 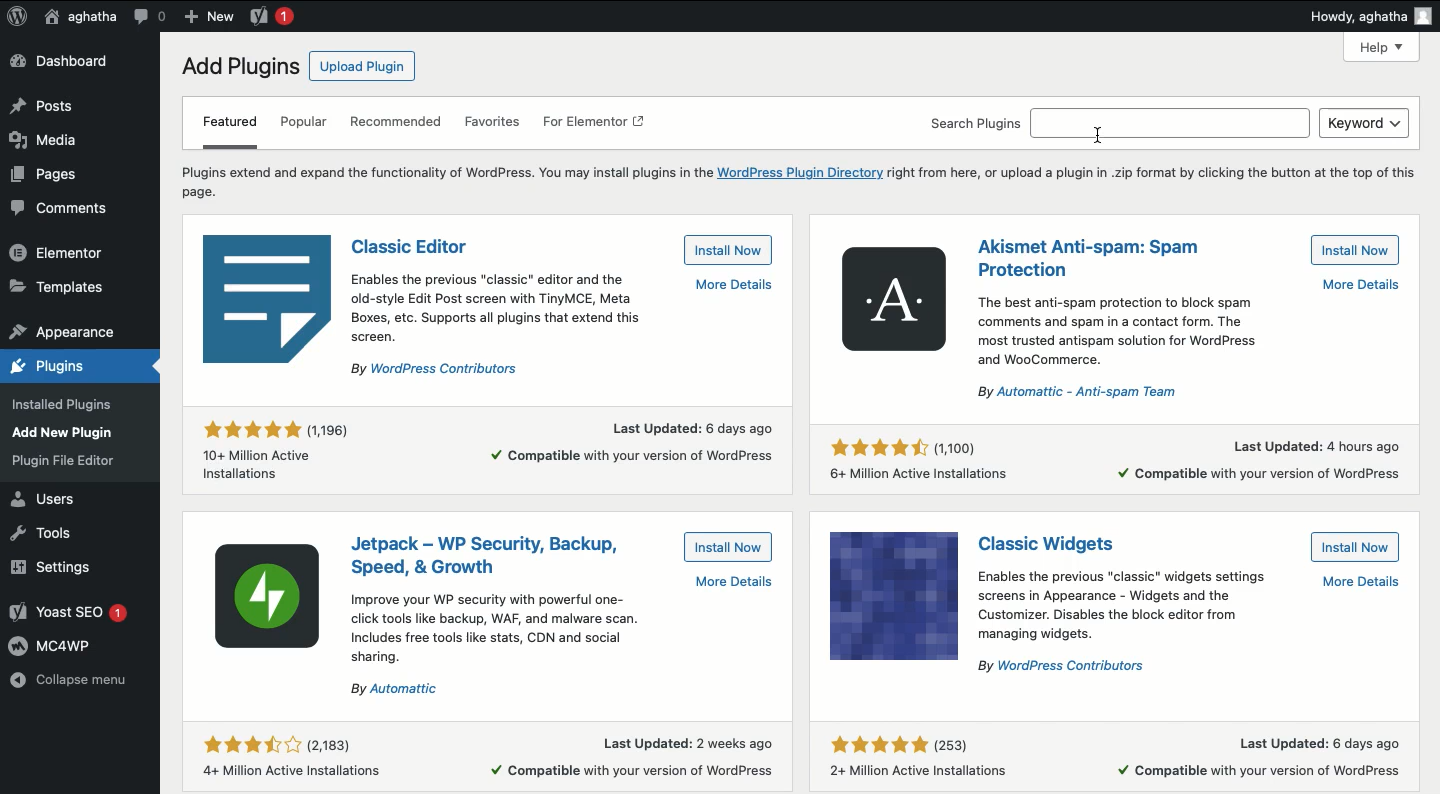 What do you see at coordinates (726, 250) in the screenshot?
I see `Install now` at bounding box center [726, 250].